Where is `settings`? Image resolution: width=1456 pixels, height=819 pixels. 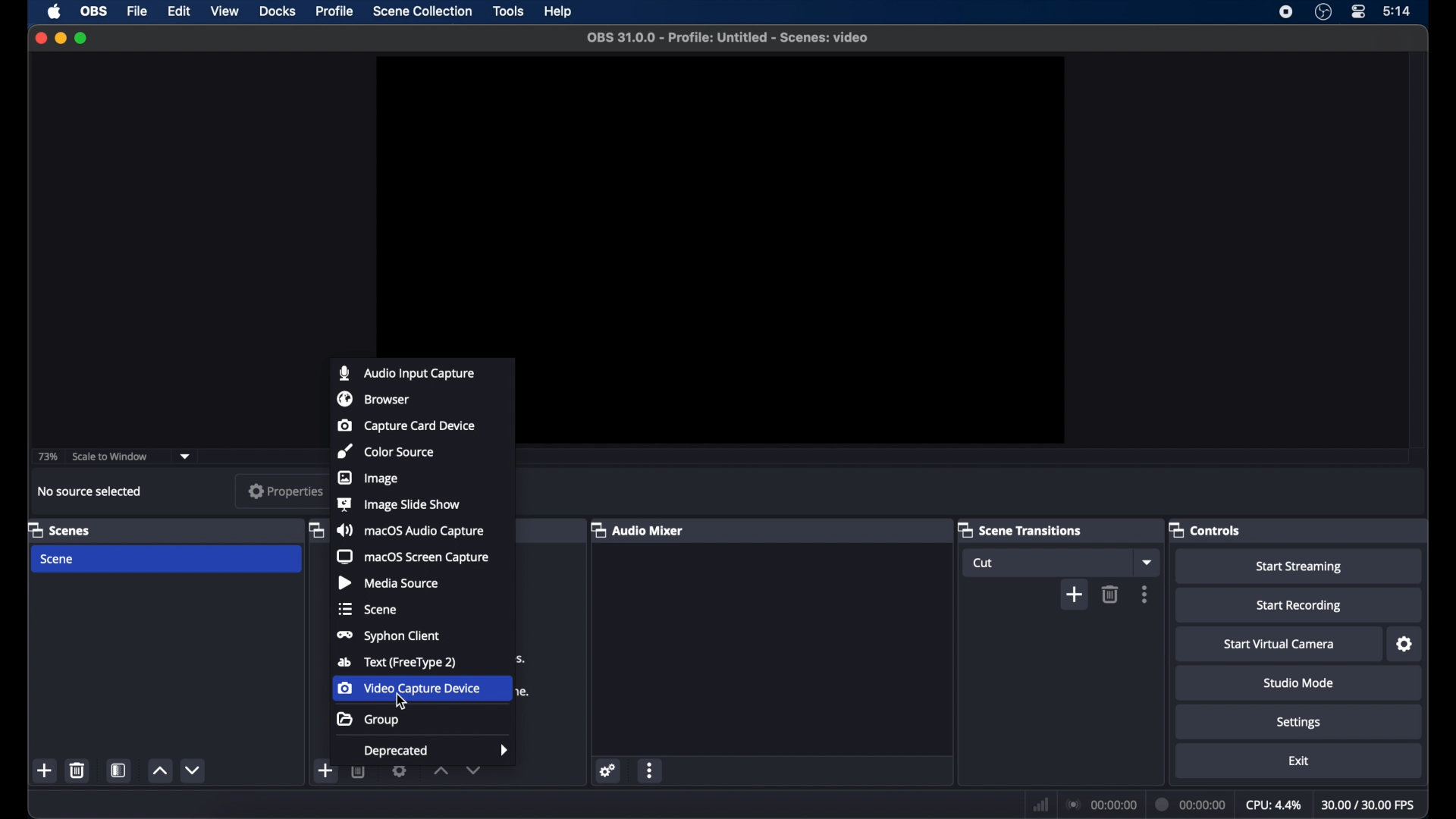 settings is located at coordinates (400, 773).